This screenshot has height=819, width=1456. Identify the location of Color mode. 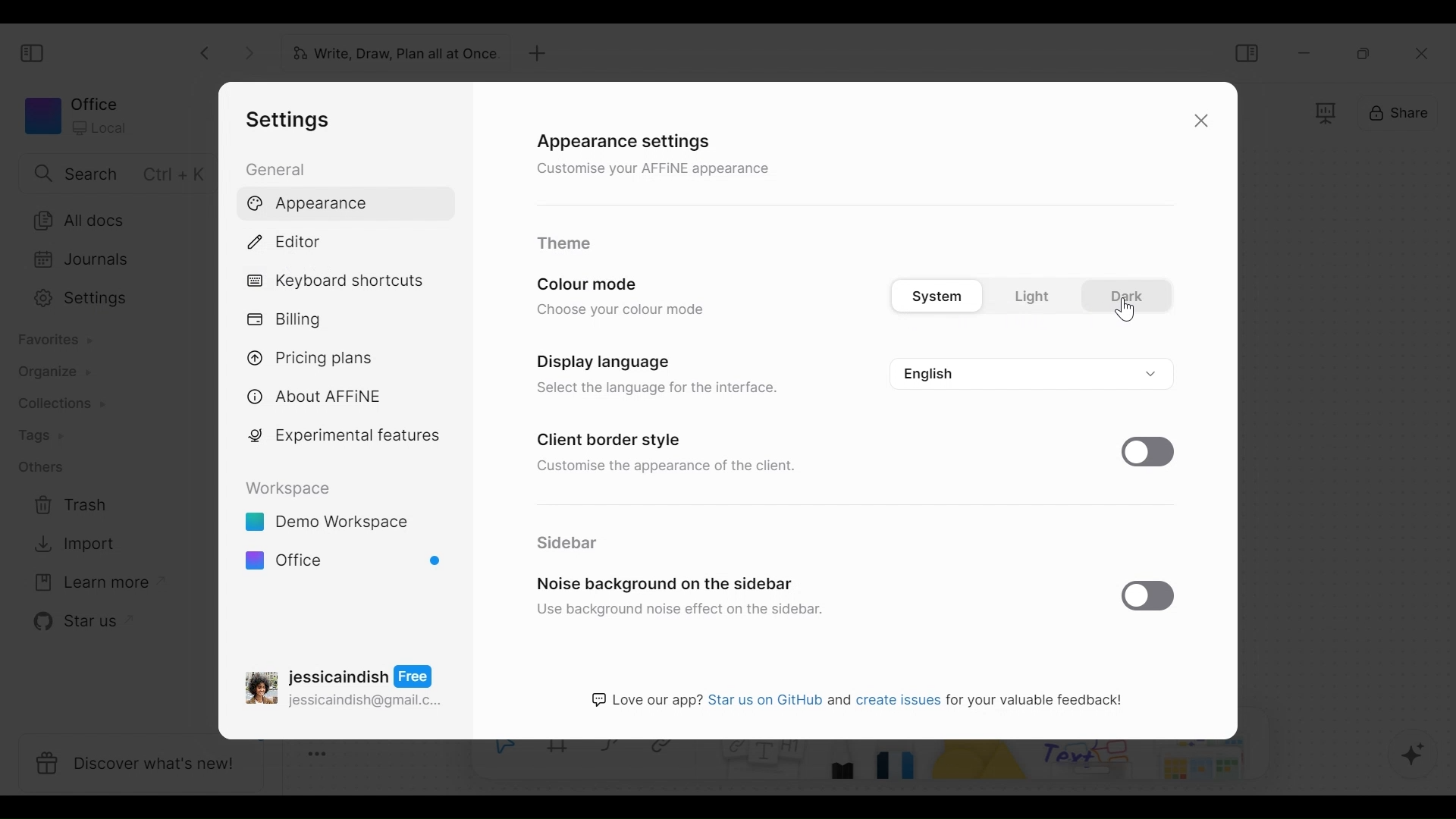
(623, 296).